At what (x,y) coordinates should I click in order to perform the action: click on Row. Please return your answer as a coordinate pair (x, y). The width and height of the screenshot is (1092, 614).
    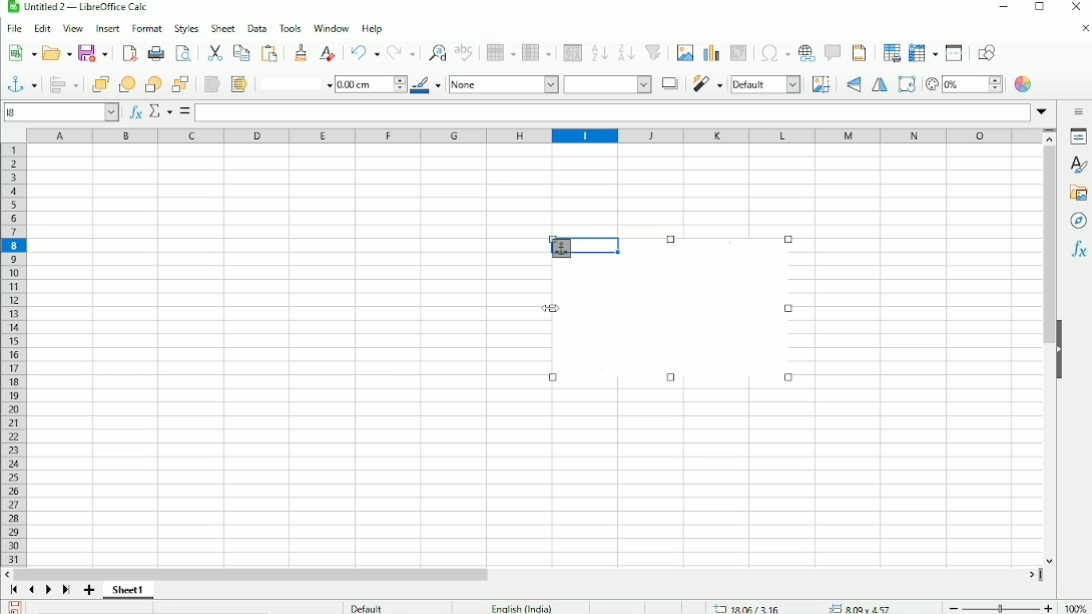
    Looking at the image, I should click on (499, 52).